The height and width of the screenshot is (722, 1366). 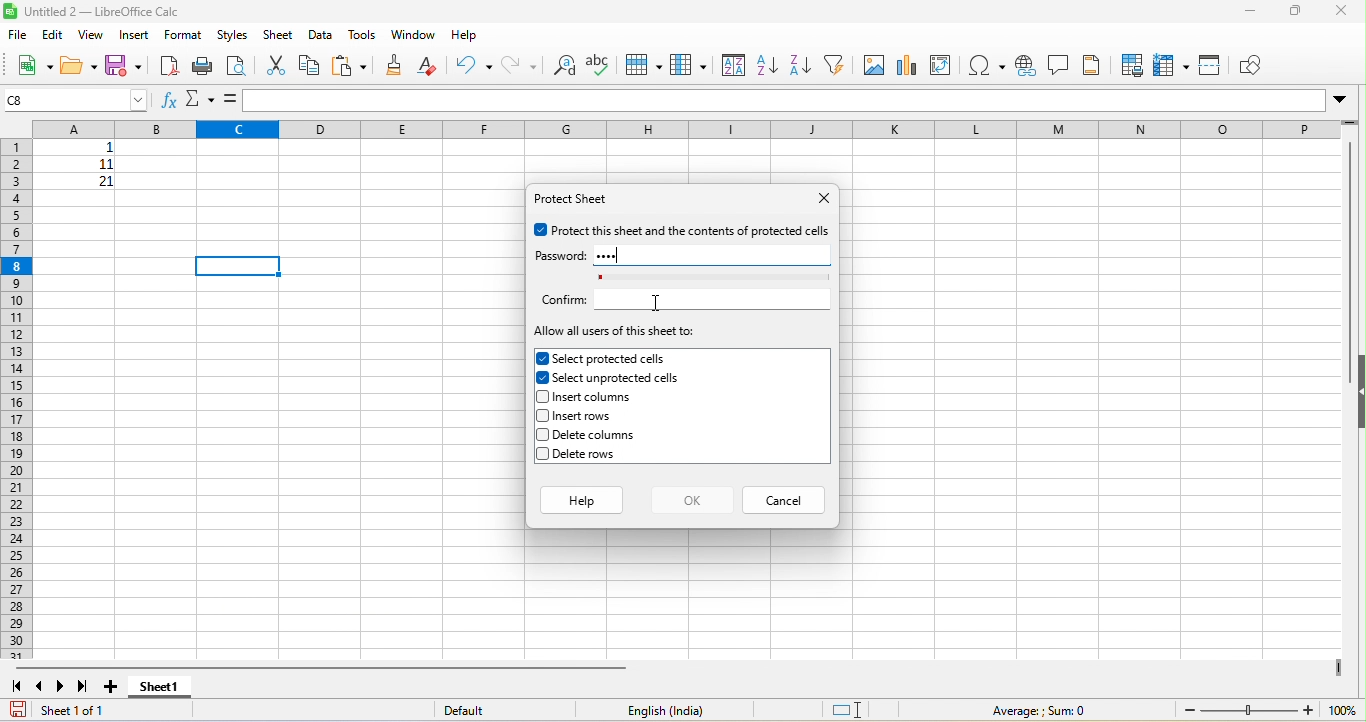 I want to click on english, so click(x=678, y=710).